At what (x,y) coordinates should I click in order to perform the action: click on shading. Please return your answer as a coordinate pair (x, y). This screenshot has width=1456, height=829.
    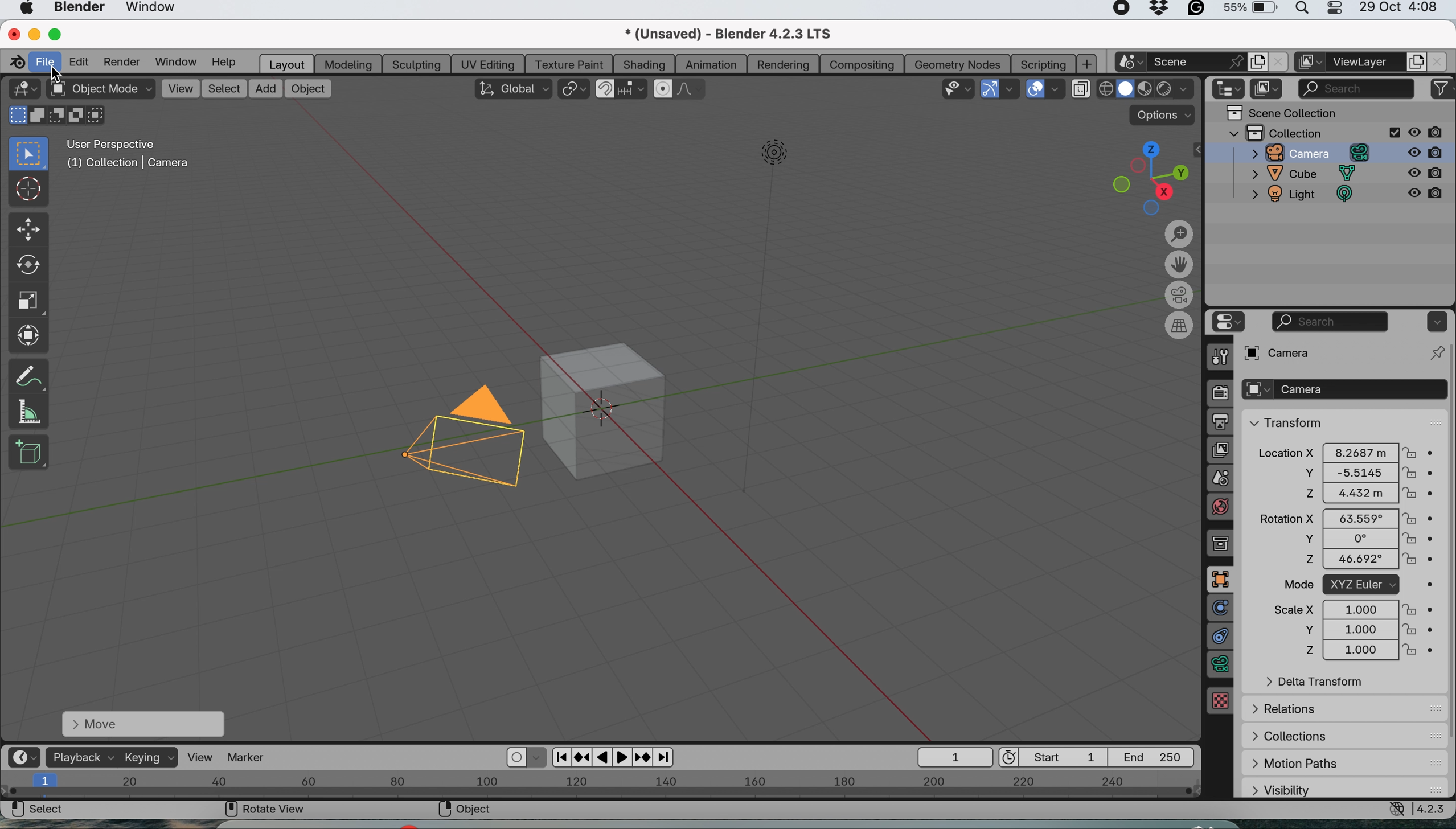
    Looking at the image, I should click on (644, 64).